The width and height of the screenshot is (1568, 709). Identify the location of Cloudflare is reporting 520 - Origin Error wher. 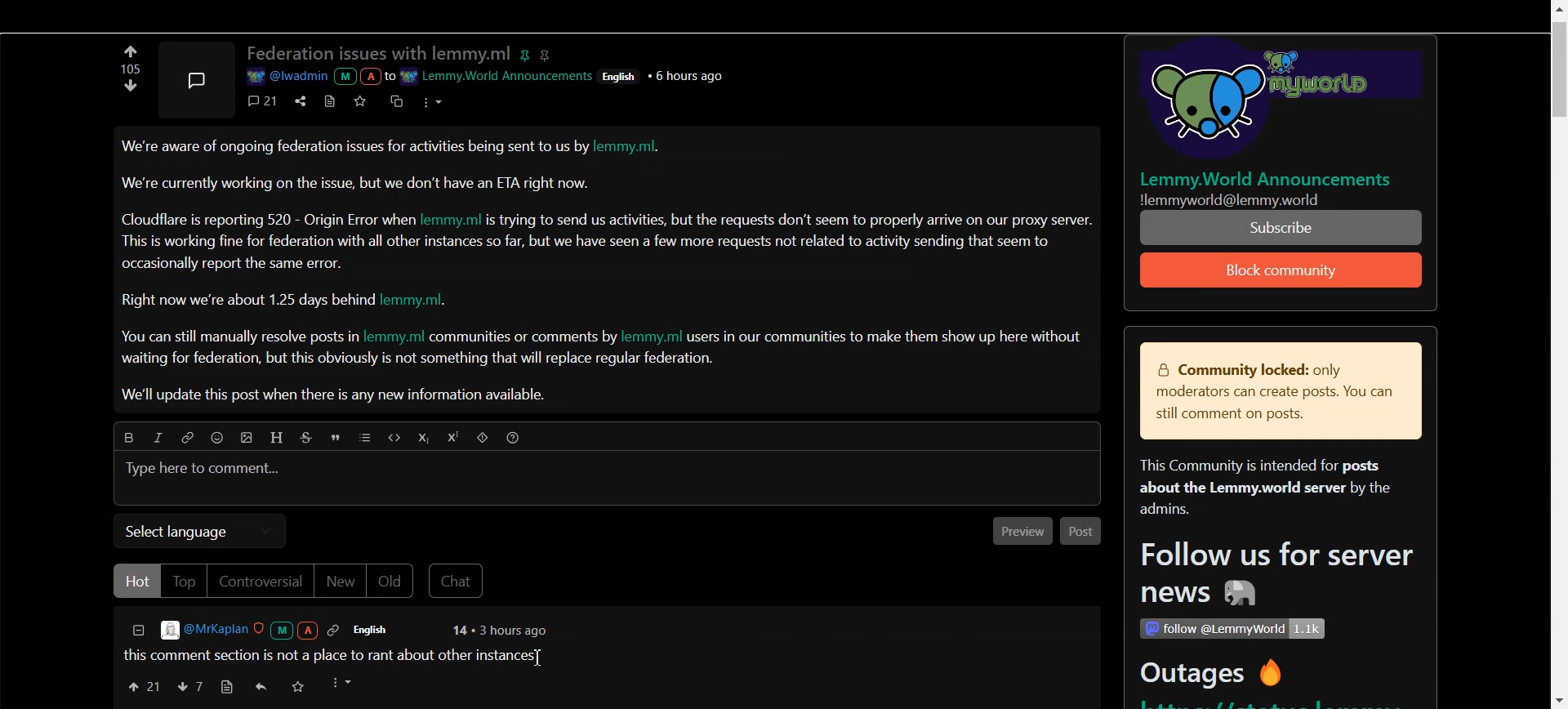
(269, 219).